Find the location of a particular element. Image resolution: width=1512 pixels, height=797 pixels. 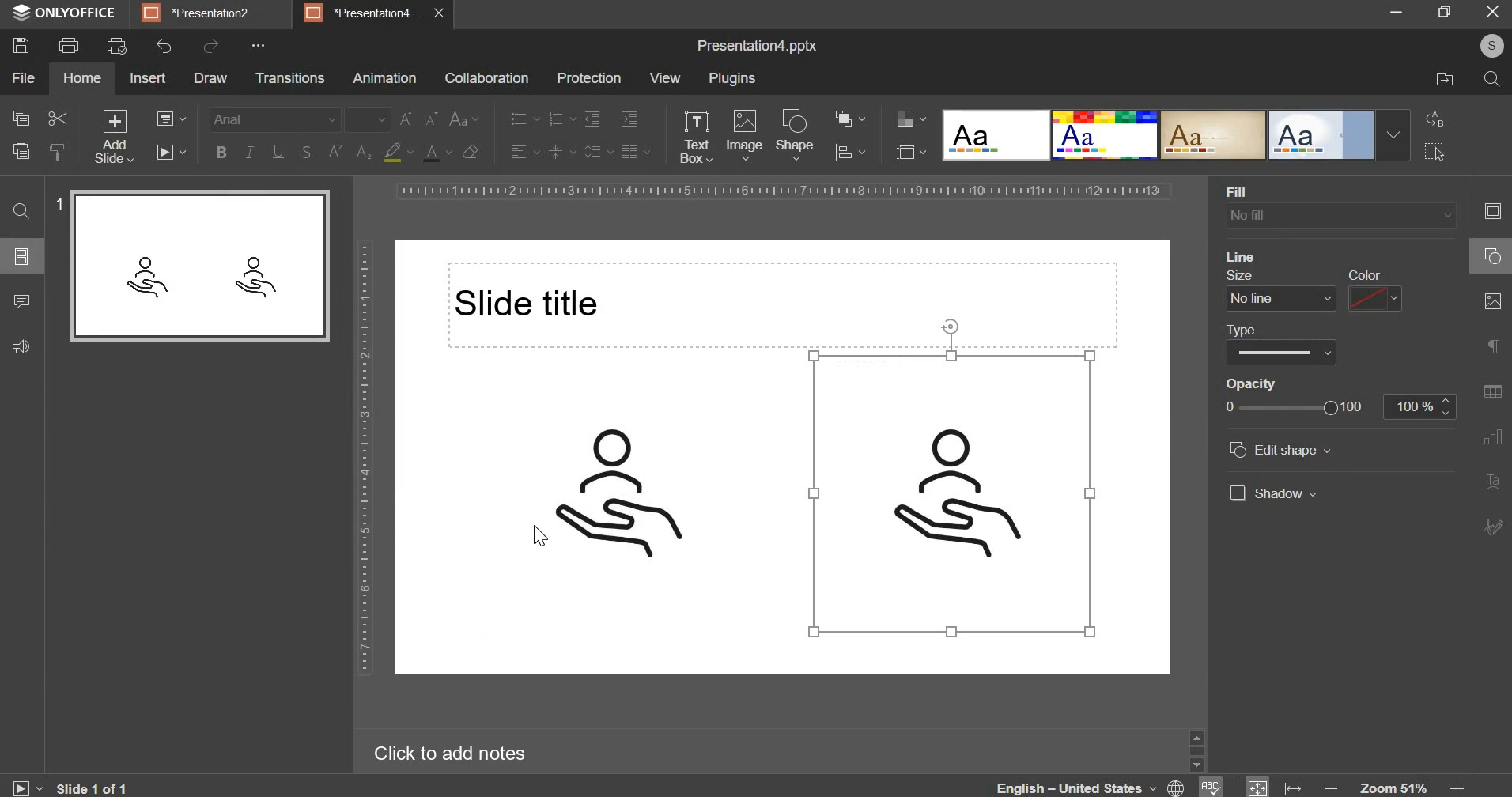

decrease indent is located at coordinates (591, 120).